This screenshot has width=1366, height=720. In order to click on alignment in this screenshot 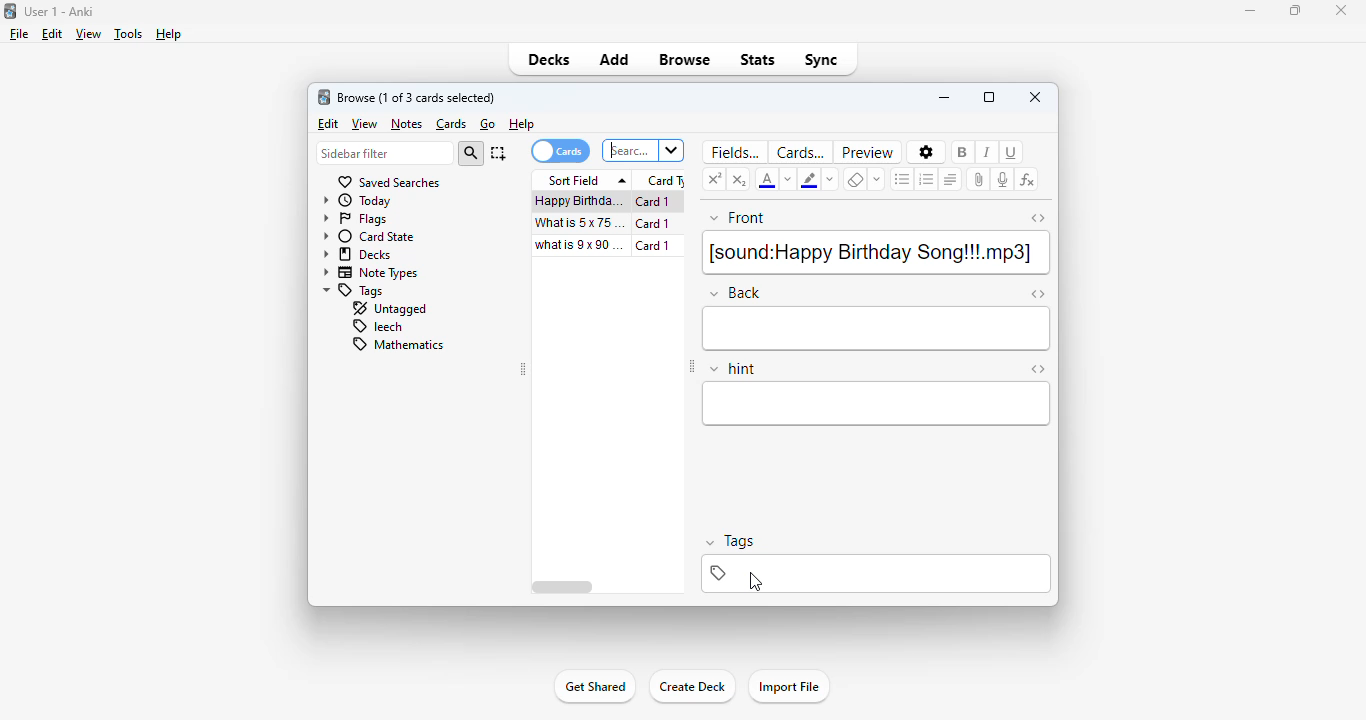, I will do `click(951, 179)`.